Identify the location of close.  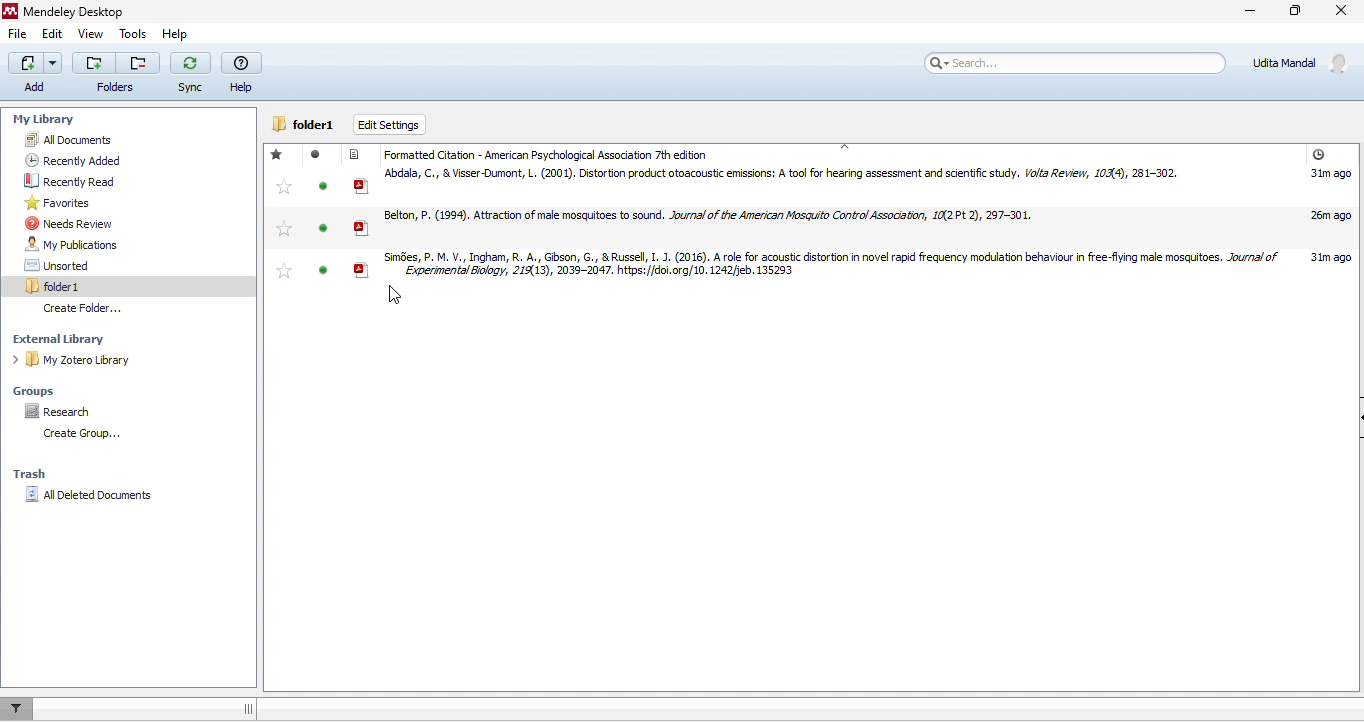
(1344, 13).